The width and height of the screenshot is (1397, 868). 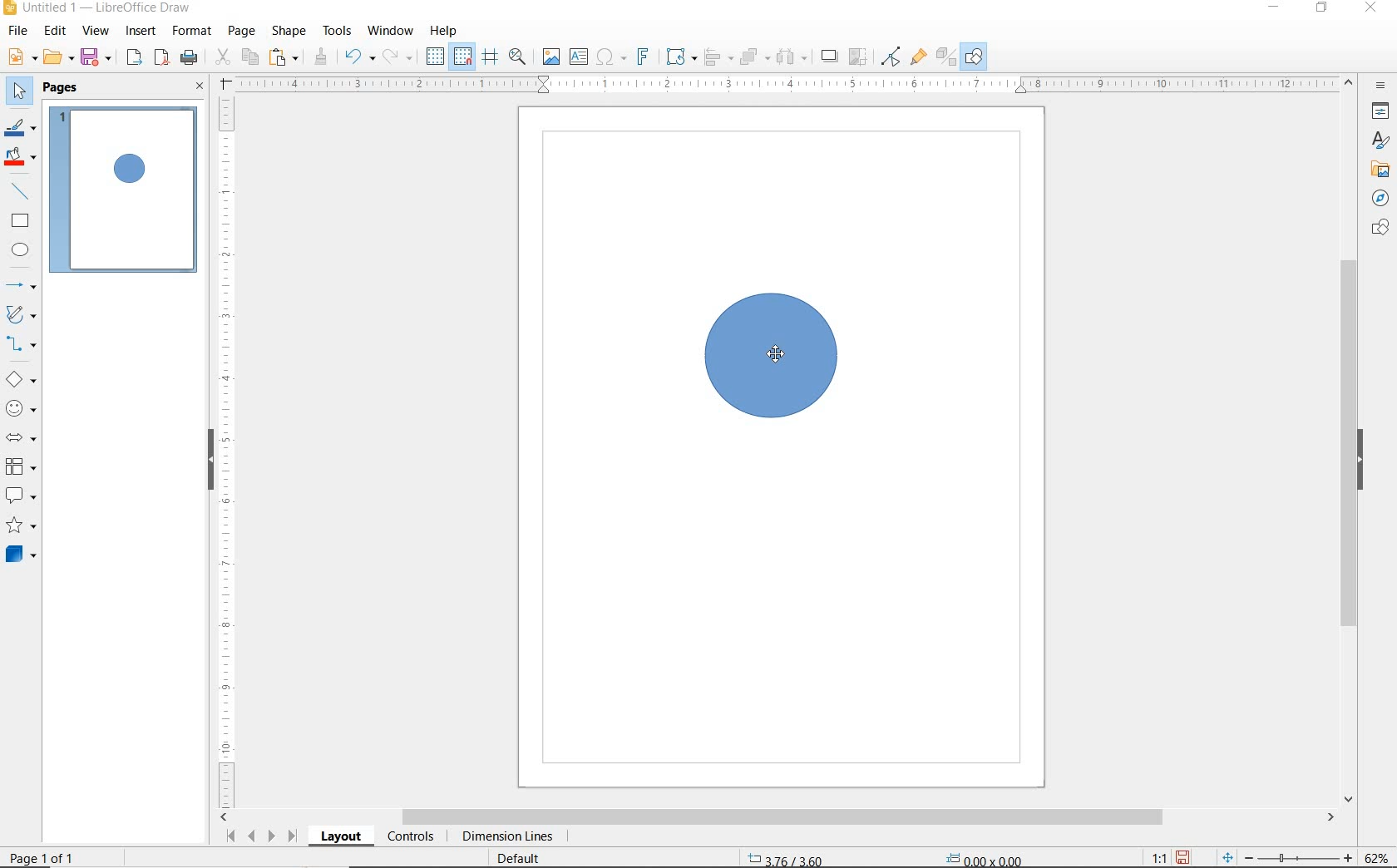 What do you see at coordinates (289, 32) in the screenshot?
I see `SHAPE` at bounding box center [289, 32].